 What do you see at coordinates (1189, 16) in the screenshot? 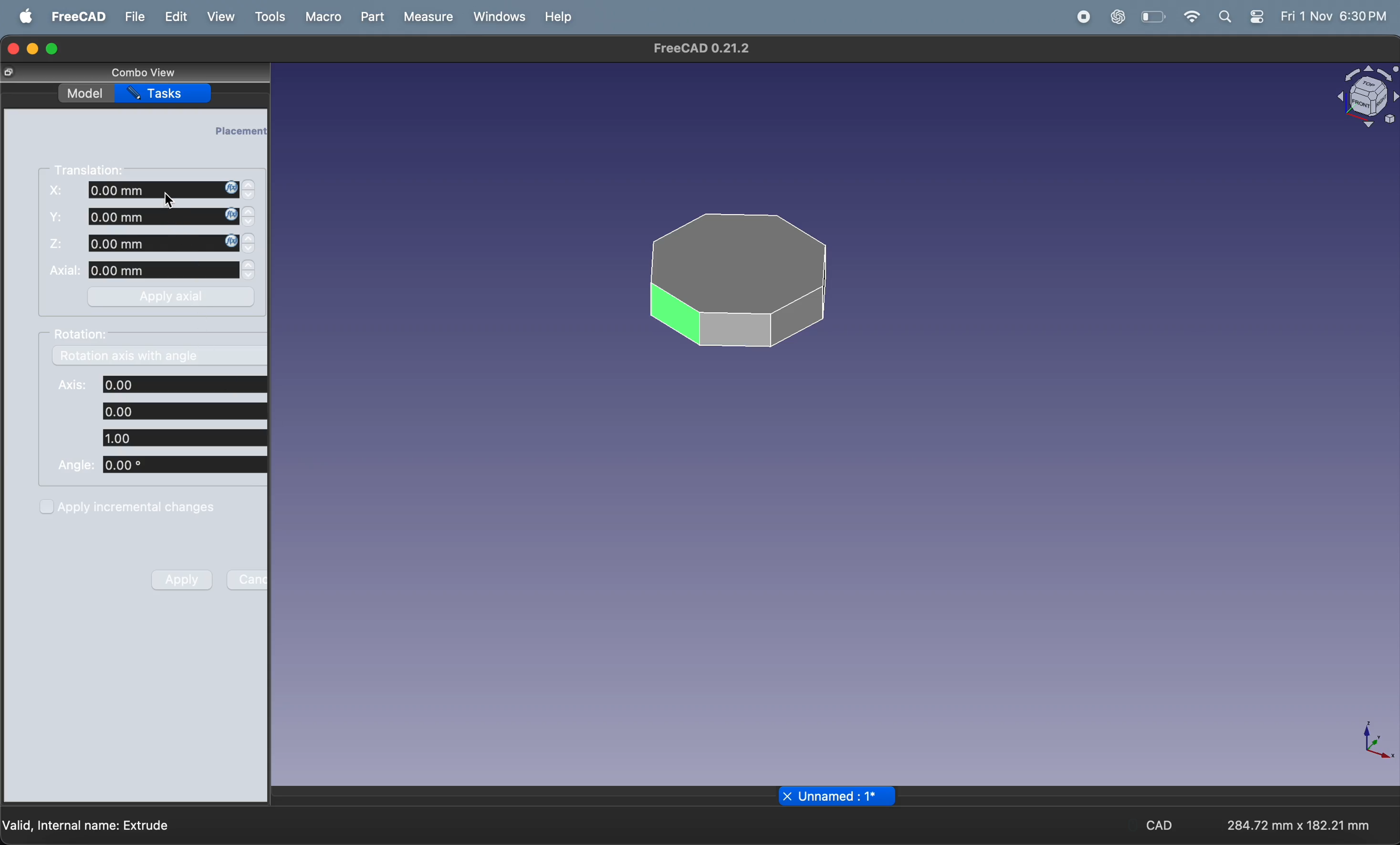
I see `wifi` at bounding box center [1189, 16].